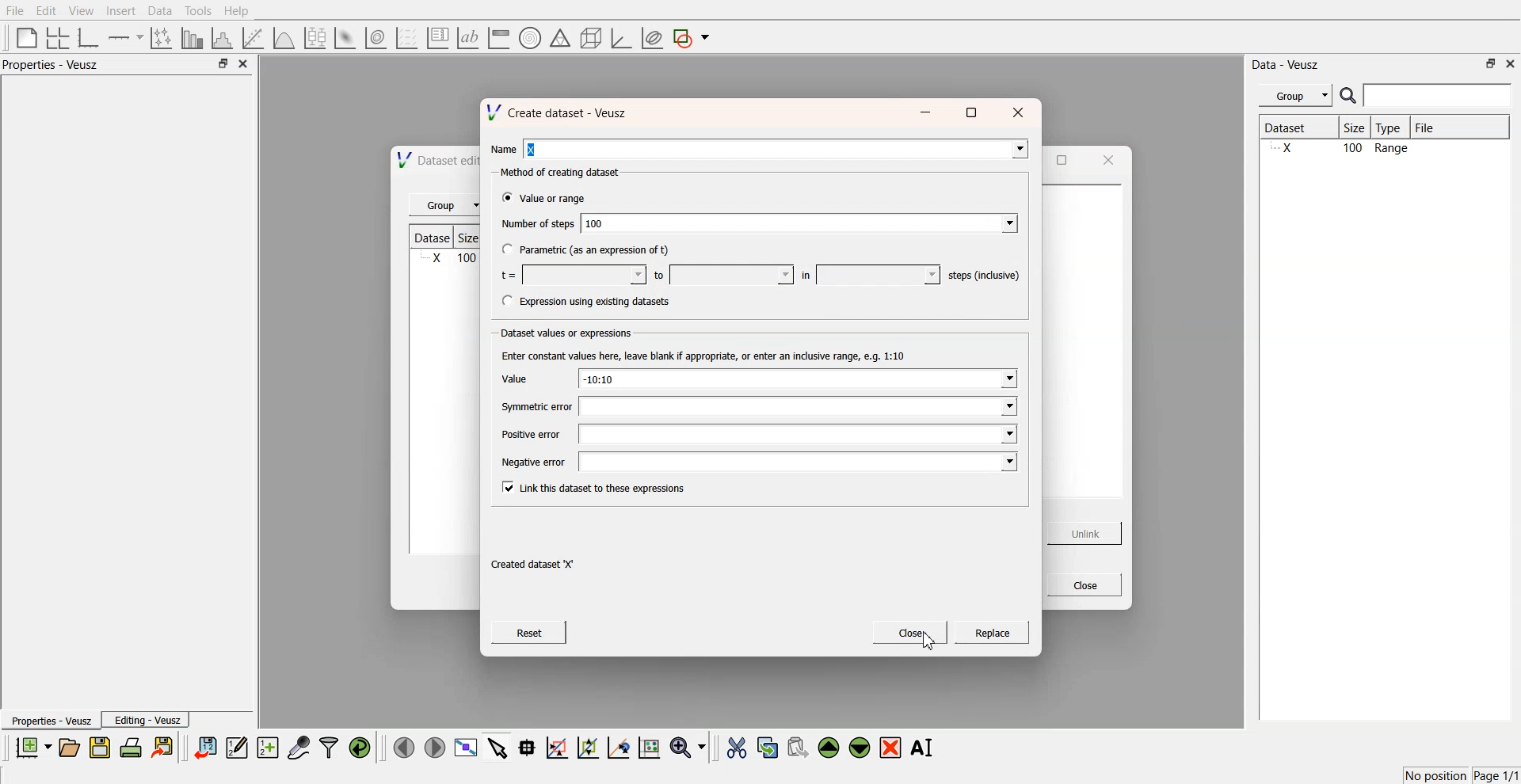 This screenshot has height=784, width=1521. I want to click on Enter constant values here, leave blank if appropriate, or enter an indusive range, e.g. 1:10, so click(710, 355).